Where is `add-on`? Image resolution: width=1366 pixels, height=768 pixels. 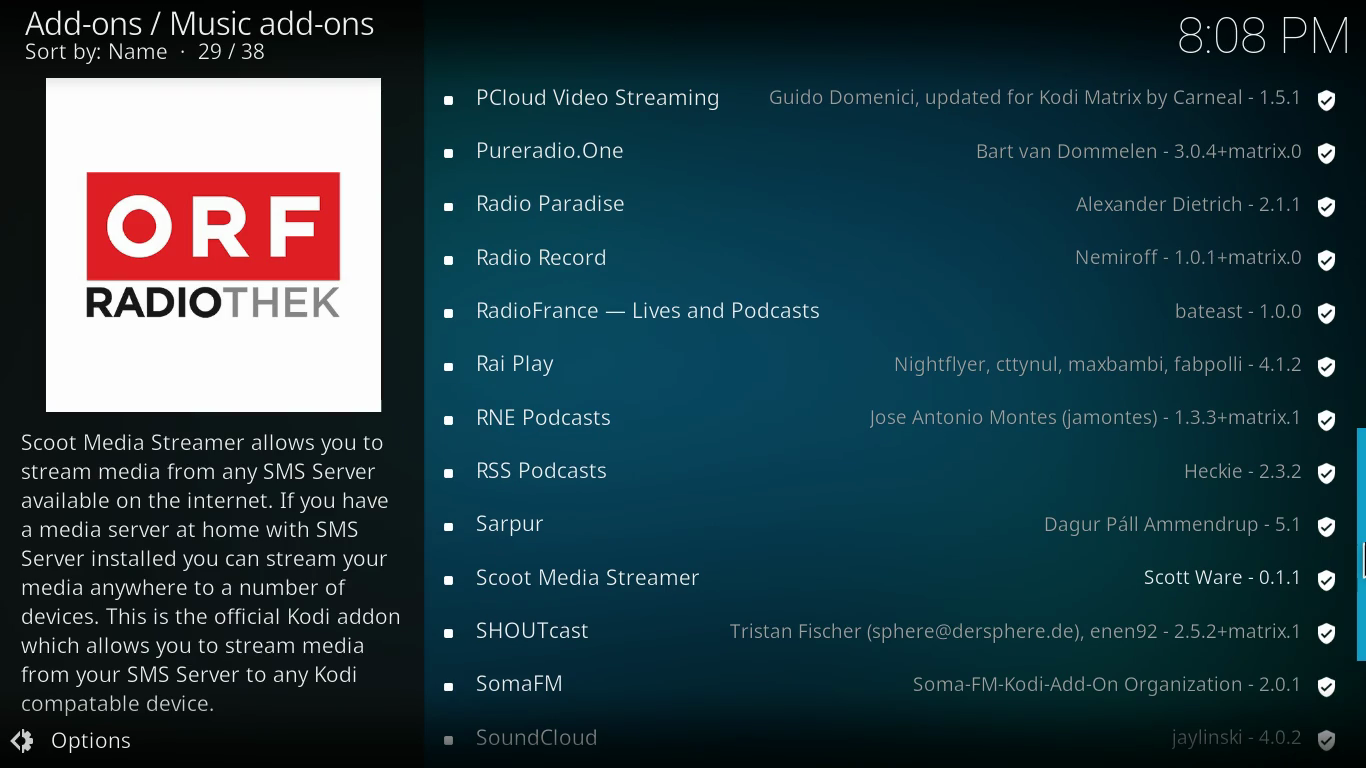
add-on is located at coordinates (549, 206).